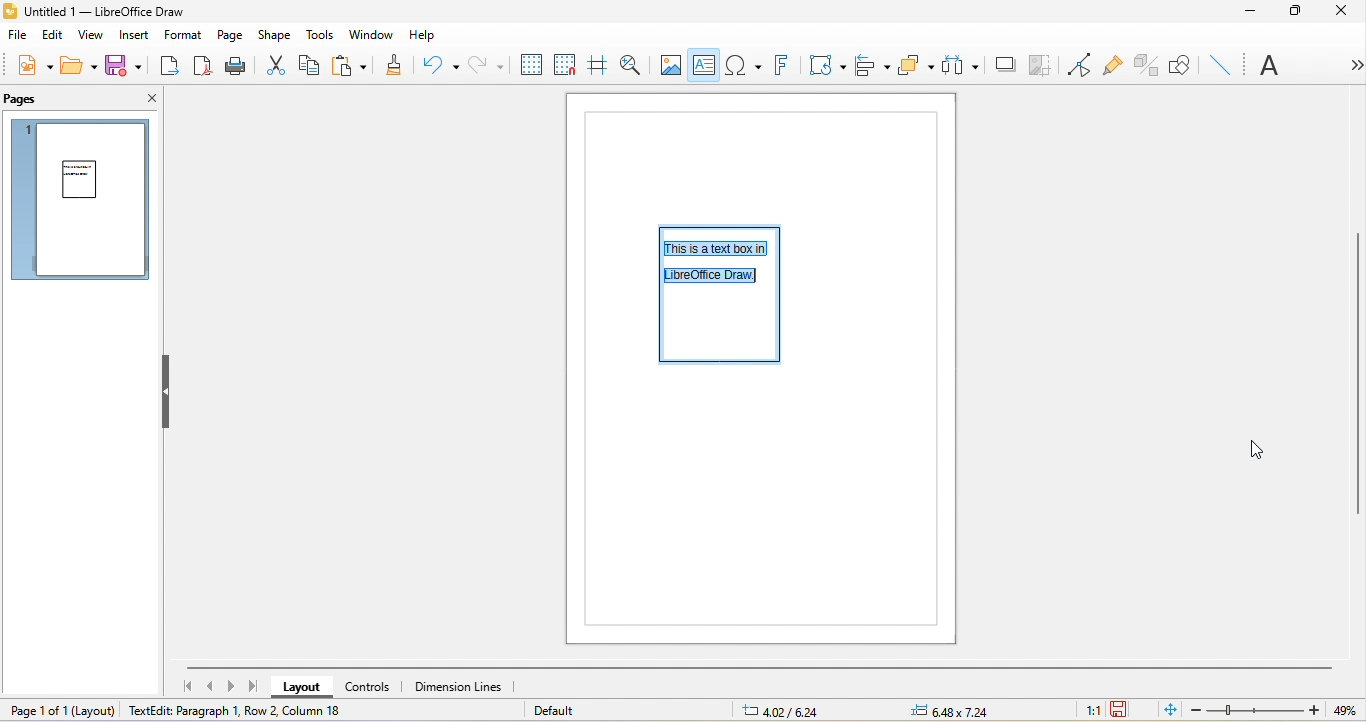 This screenshot has width=1366, height=722. Describe the element at coordinates (1167, 711) in the screenshot. I see `fit to the current window` at that location.